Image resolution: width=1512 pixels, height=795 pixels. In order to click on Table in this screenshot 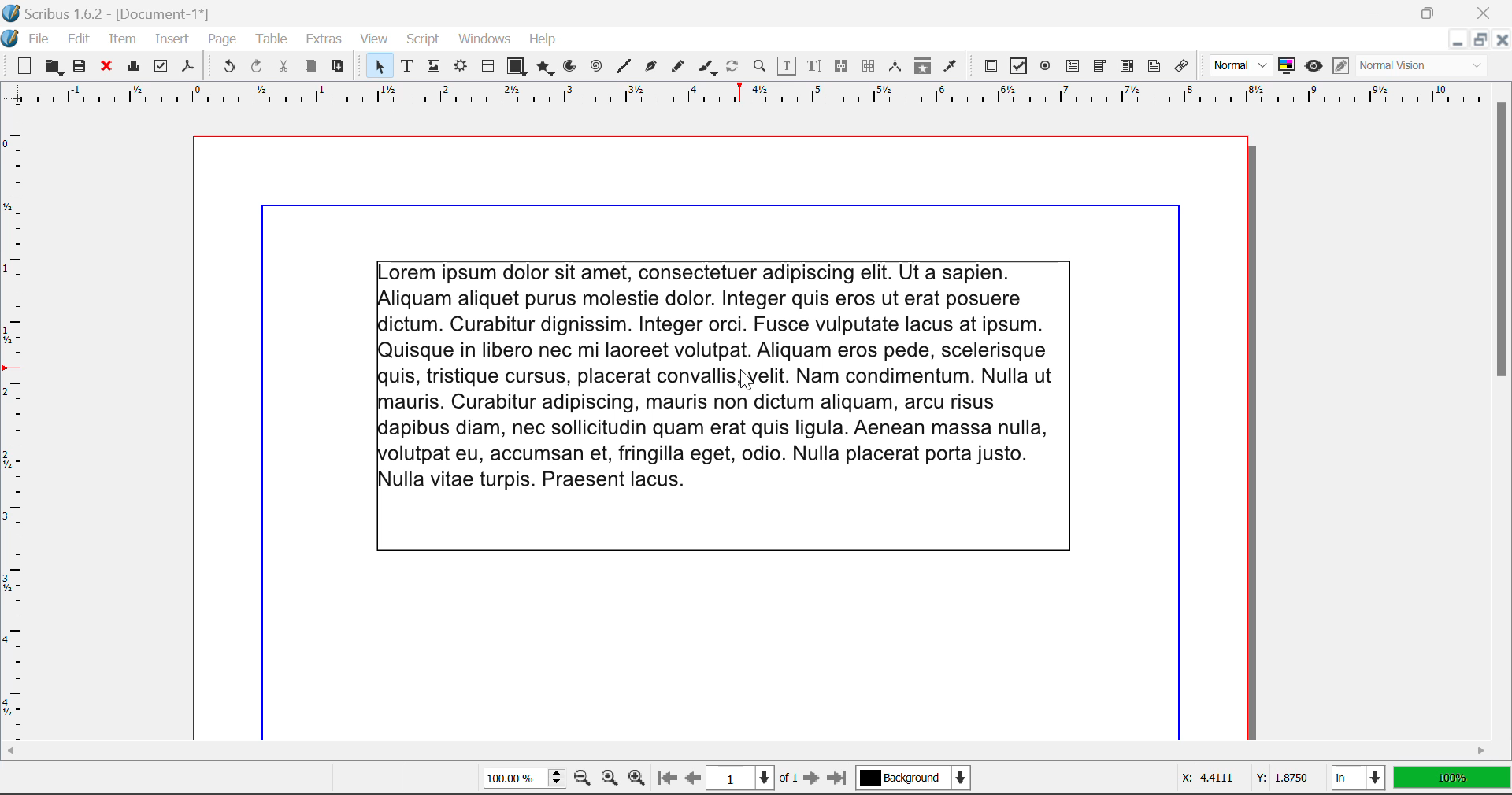, I will do `click(270, 40)`.